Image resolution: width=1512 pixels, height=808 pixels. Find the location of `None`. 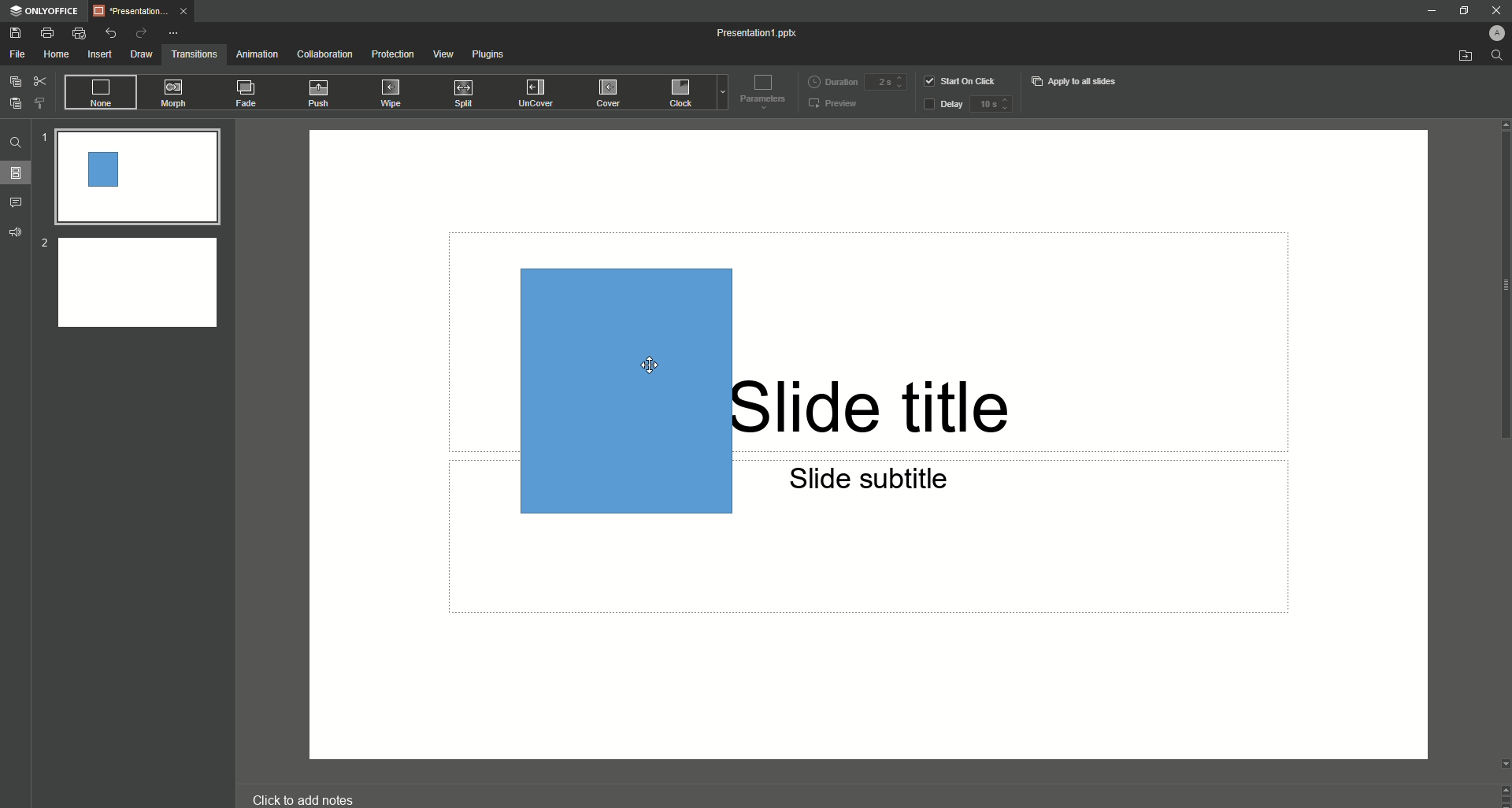

None is located at coordinates (102, 92).